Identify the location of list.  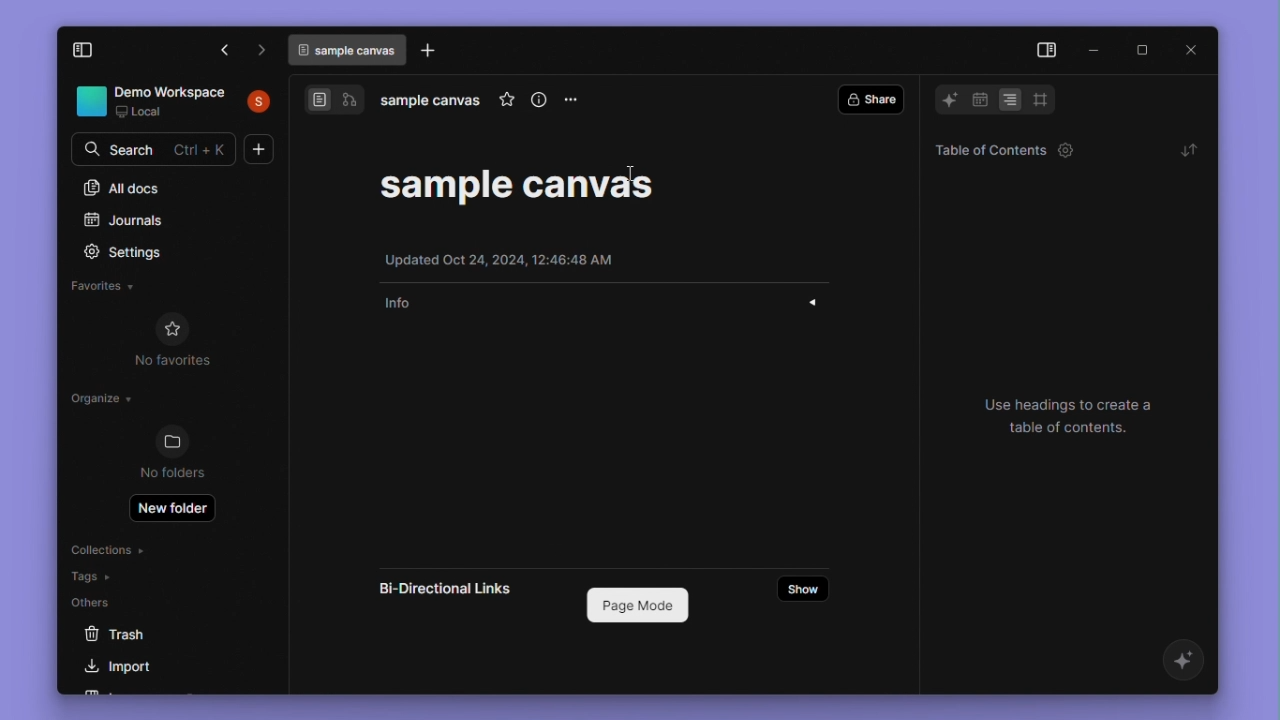
(1011, 100).